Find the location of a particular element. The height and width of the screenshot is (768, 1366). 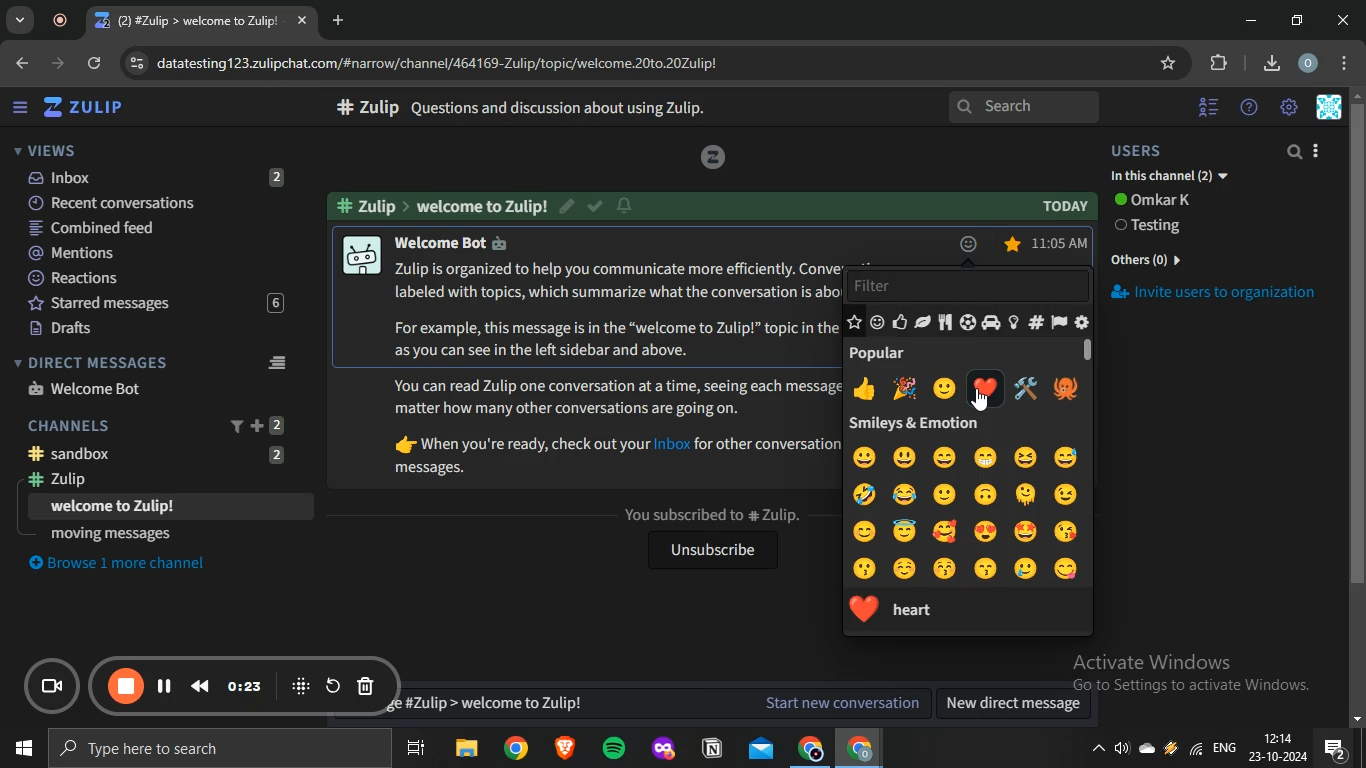

add emoji reaction is located at coordinates (967, 242).